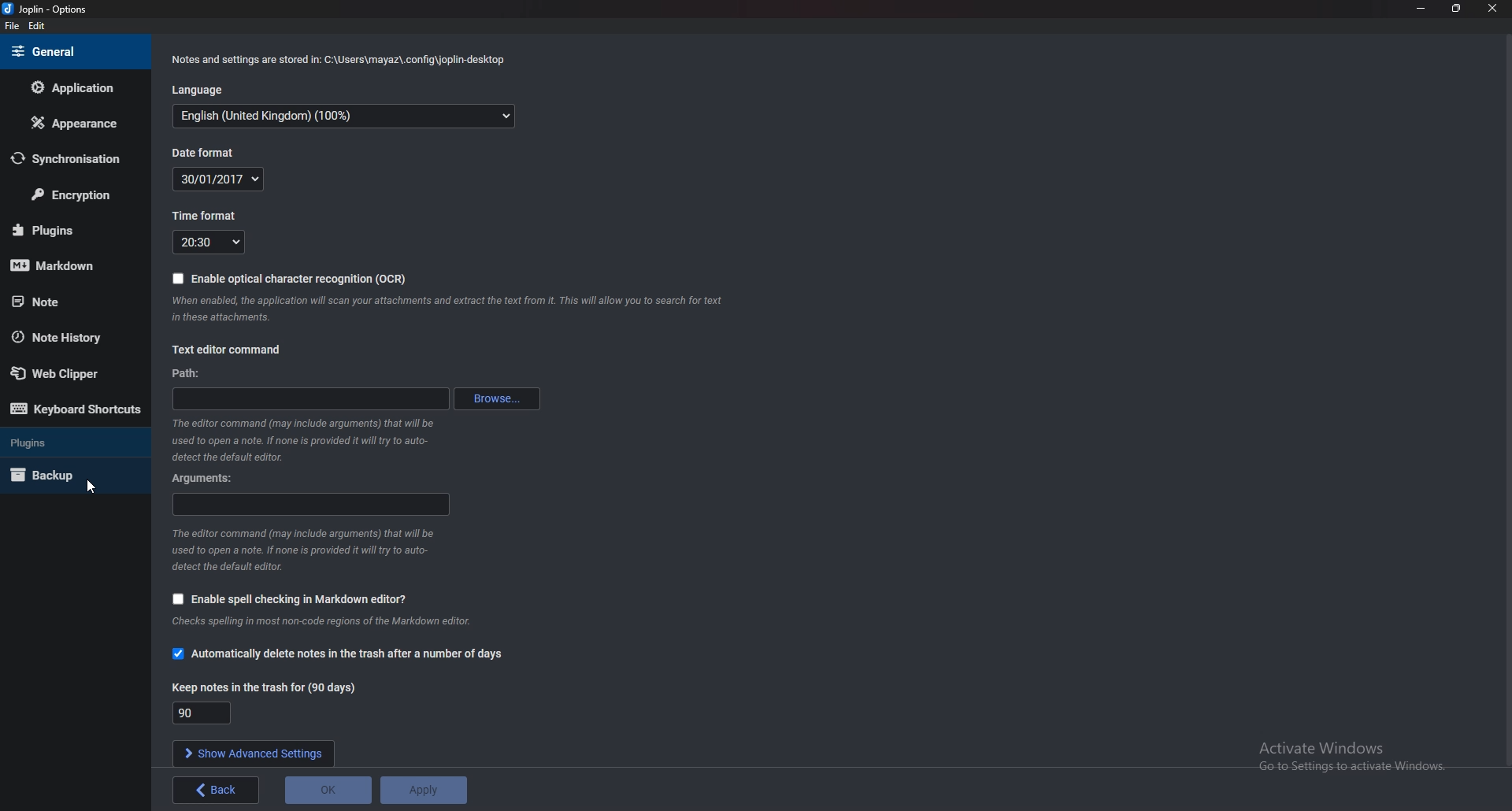 Image resolution: width=1512 pixels, height=811 pixels. Describe the element at coordinates (69, 87) in the screenshot. I see `Application` at that location.